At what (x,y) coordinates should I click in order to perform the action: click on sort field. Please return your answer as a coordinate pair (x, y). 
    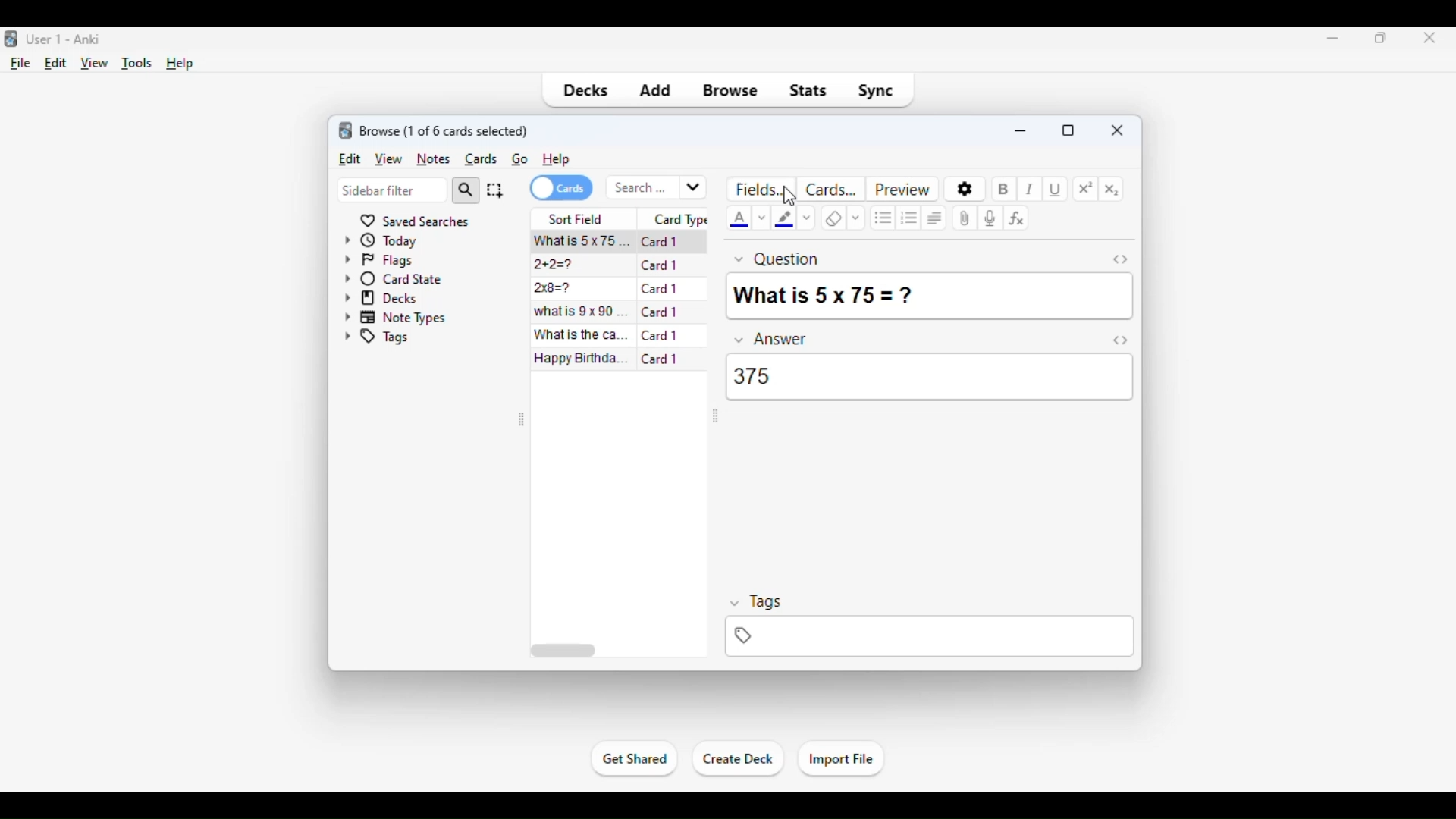
    Looking at the image, I should click on (577, 218).